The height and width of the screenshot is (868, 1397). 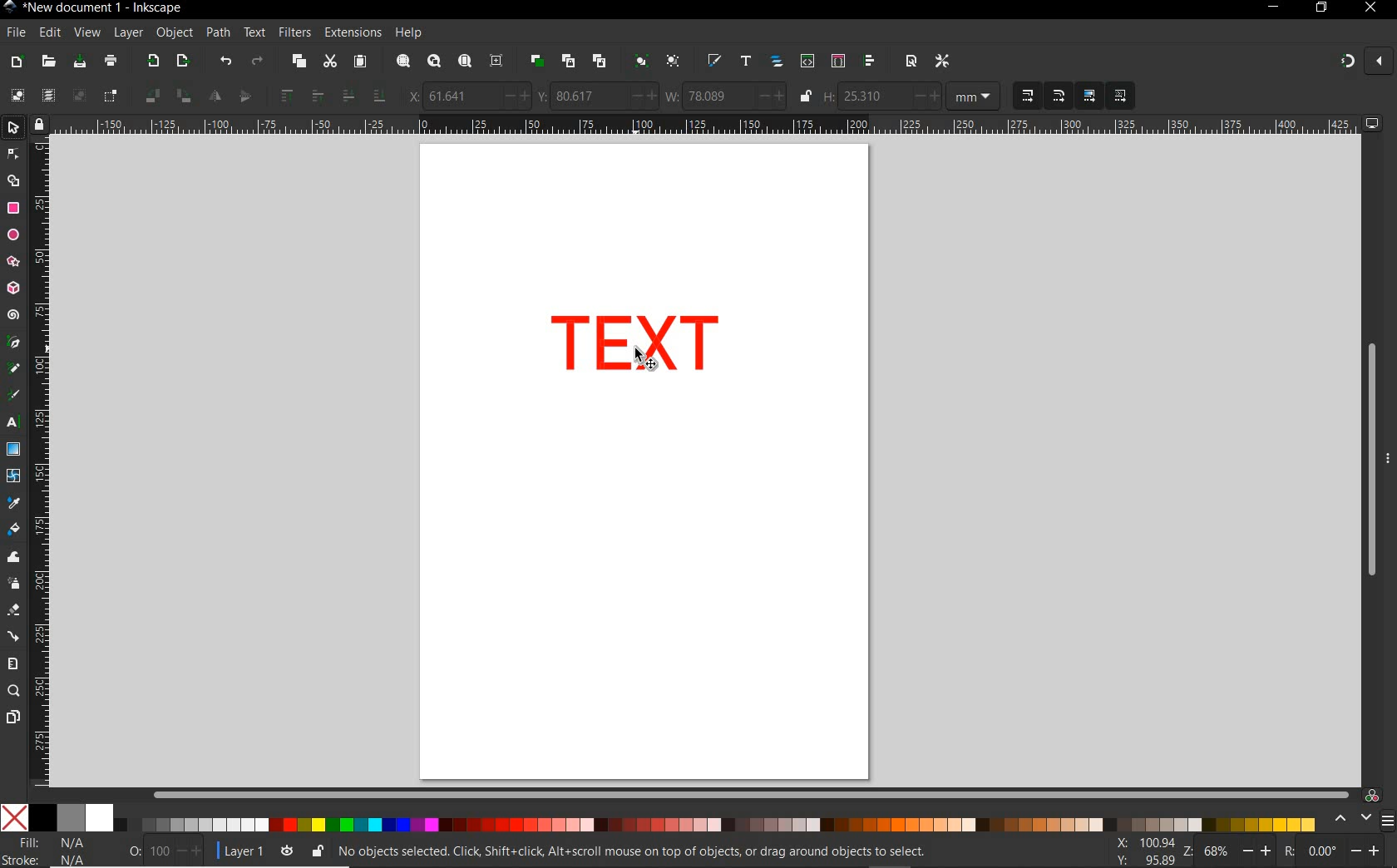 What do you see at coordinates (257, 61) in the screenshot?
I see `redo` at bounding box center [257, 61].